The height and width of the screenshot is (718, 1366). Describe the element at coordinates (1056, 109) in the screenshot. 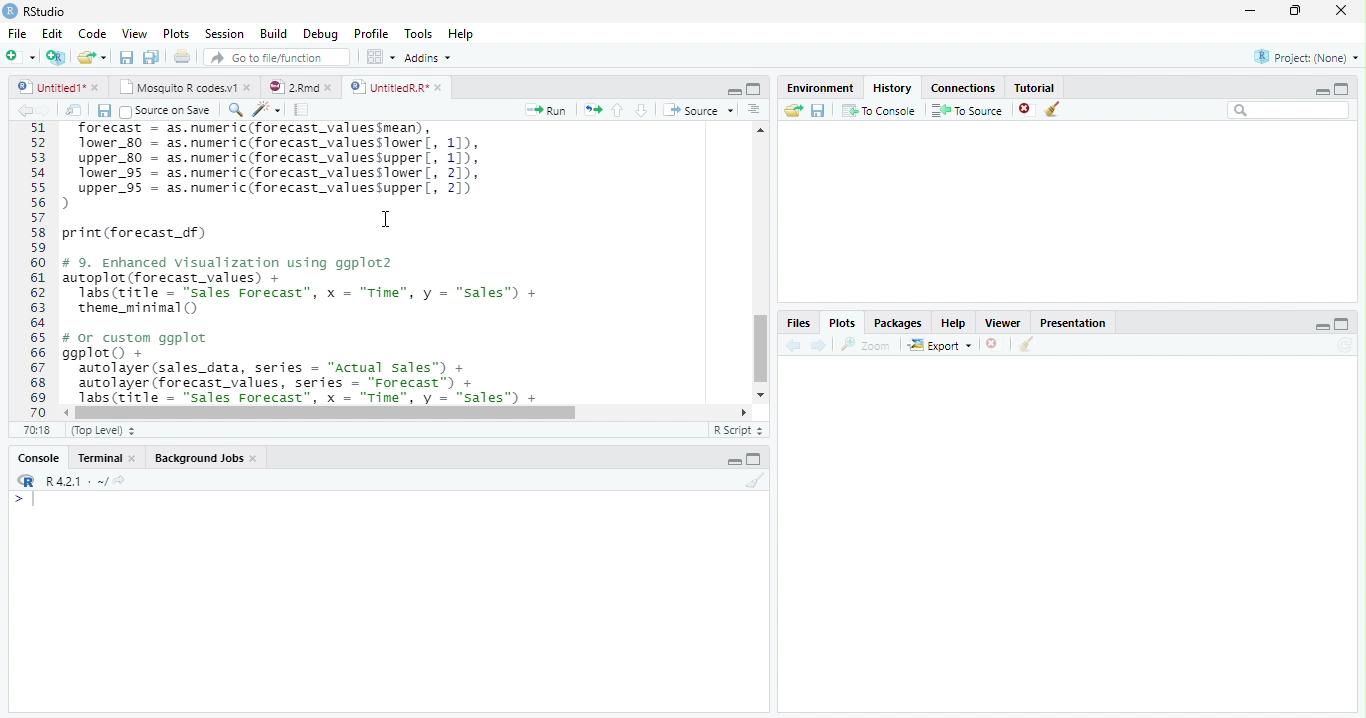

I see `Clean` at that location.